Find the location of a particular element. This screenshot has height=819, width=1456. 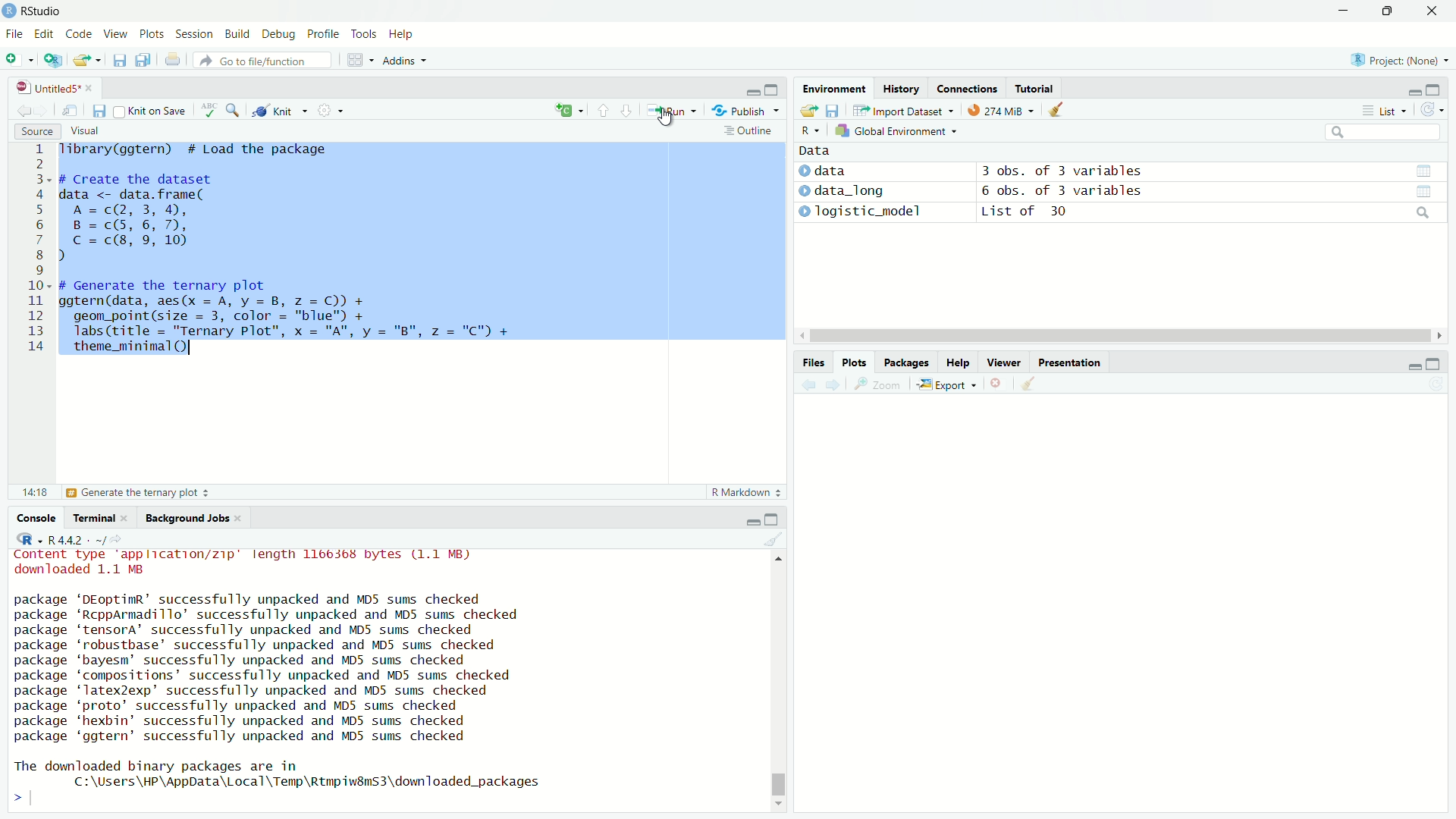

search is located at coordinates (1420, 214).